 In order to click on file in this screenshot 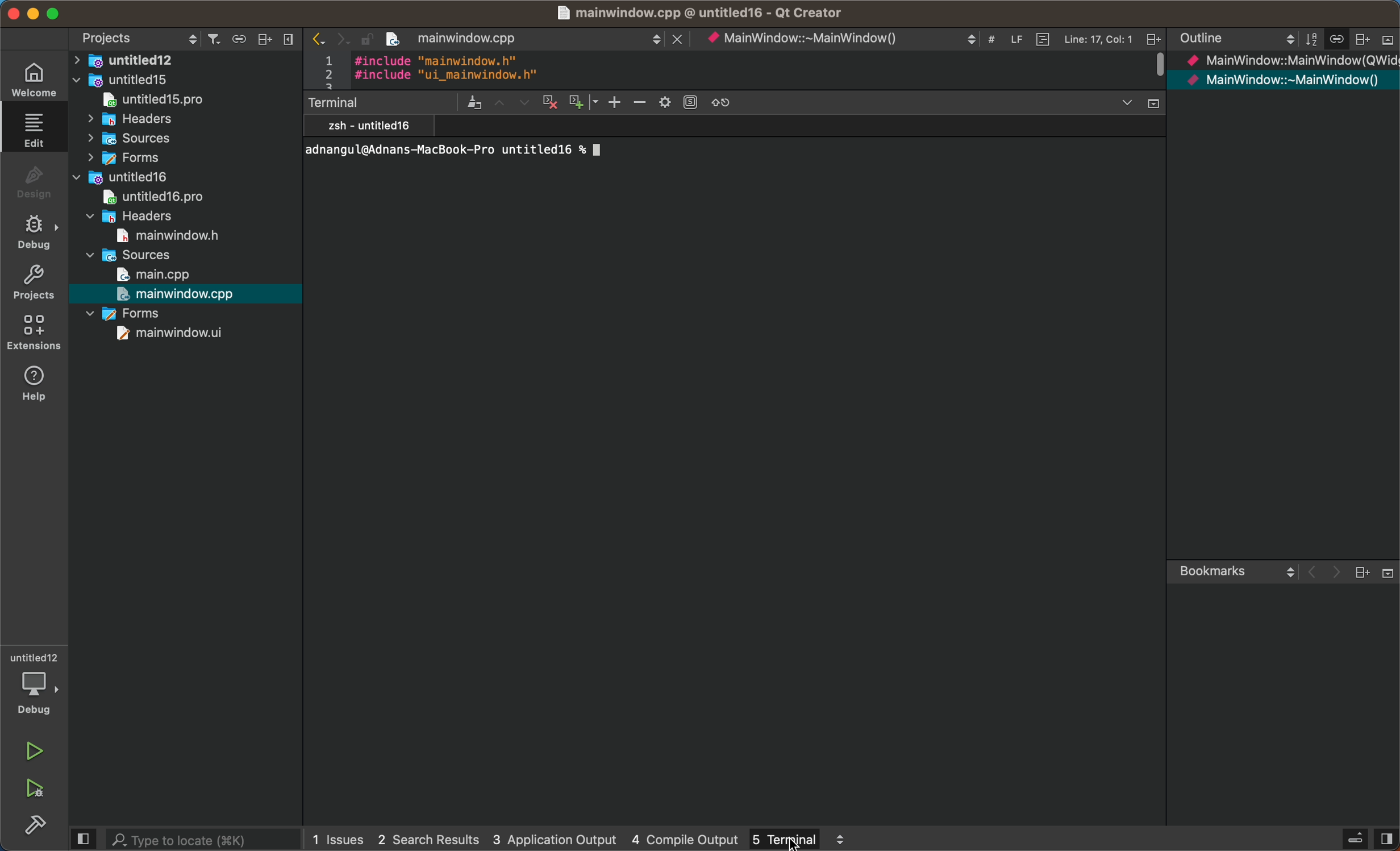, I will do `click(181, 293)`.